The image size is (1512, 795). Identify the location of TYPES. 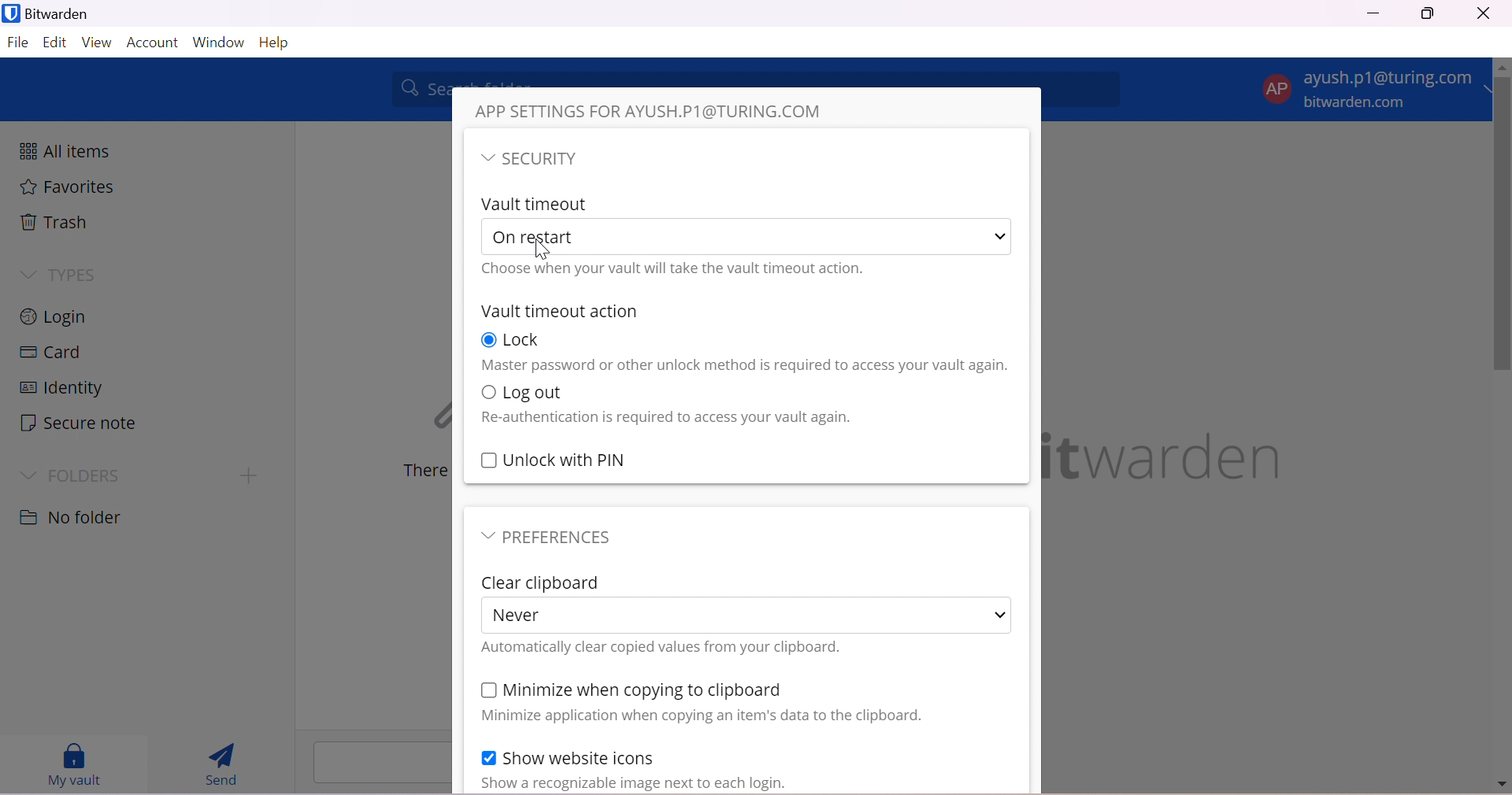
(78, 276).